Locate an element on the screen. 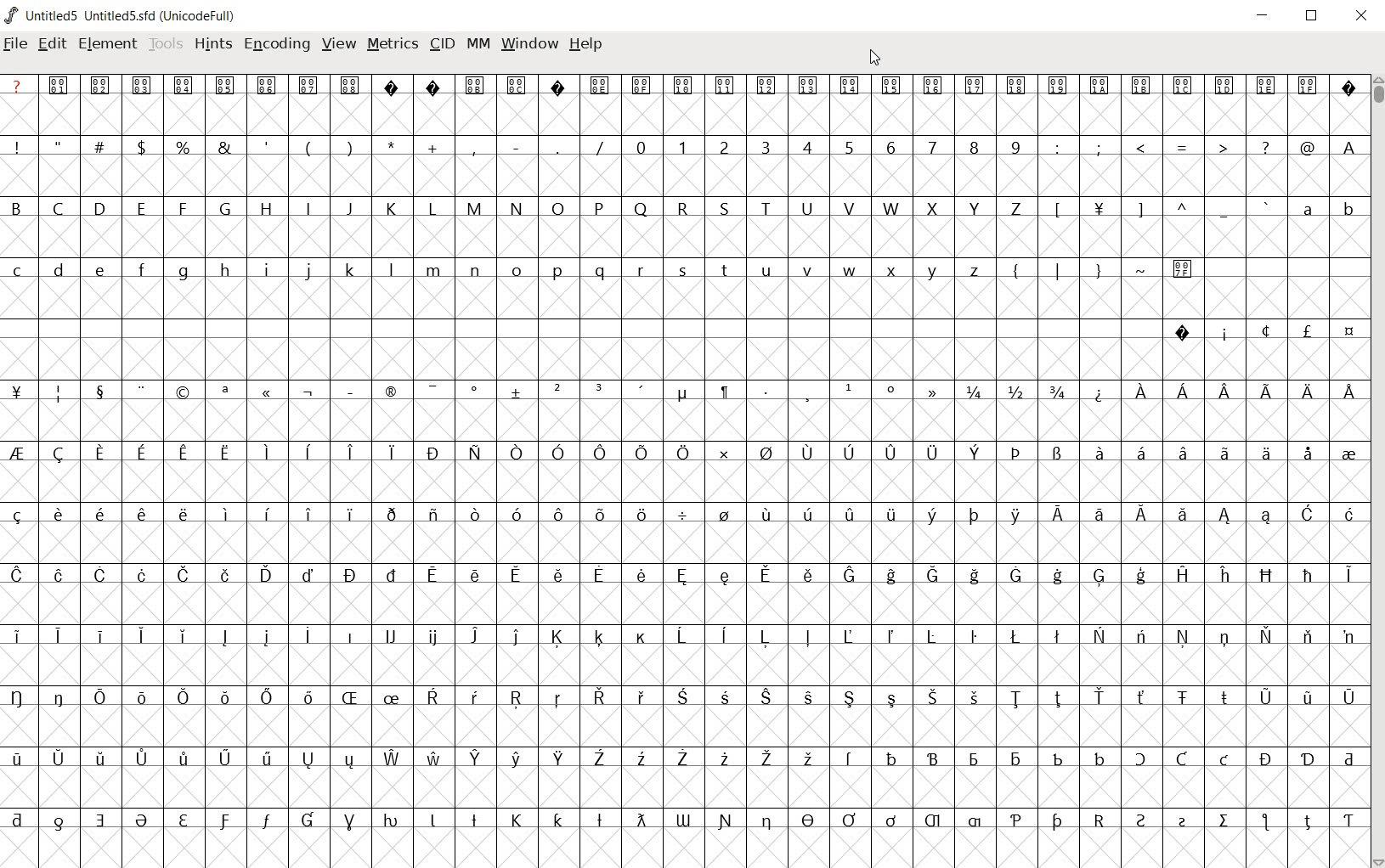 This screenshot has height=868, width=1385. > is located at coordinates (1224, 148).